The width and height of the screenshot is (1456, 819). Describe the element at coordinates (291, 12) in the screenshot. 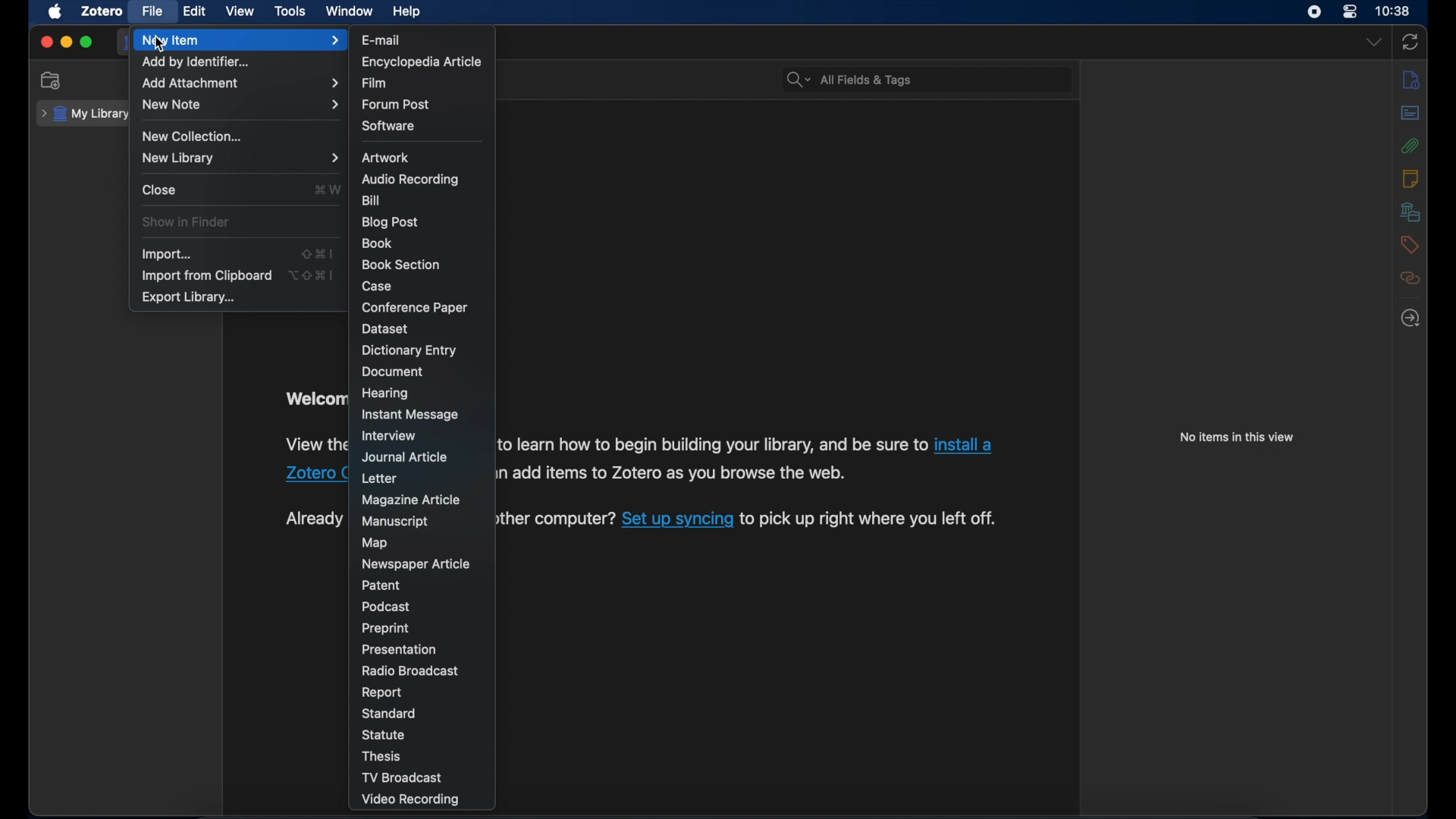

I see `tools` at that location.